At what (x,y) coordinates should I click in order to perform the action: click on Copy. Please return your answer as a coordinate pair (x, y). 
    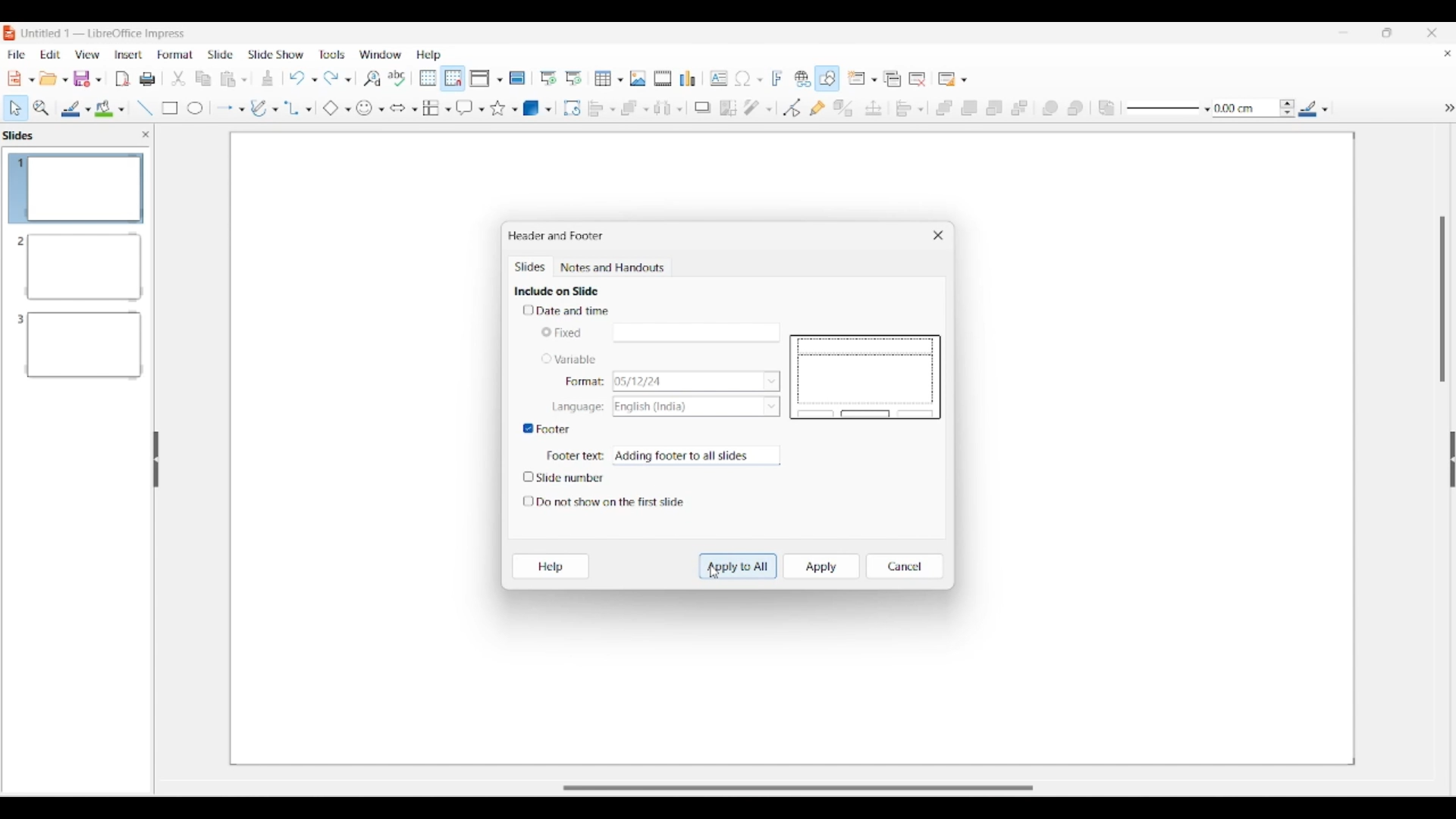
    Looking at the image, I should click on (199, 77).